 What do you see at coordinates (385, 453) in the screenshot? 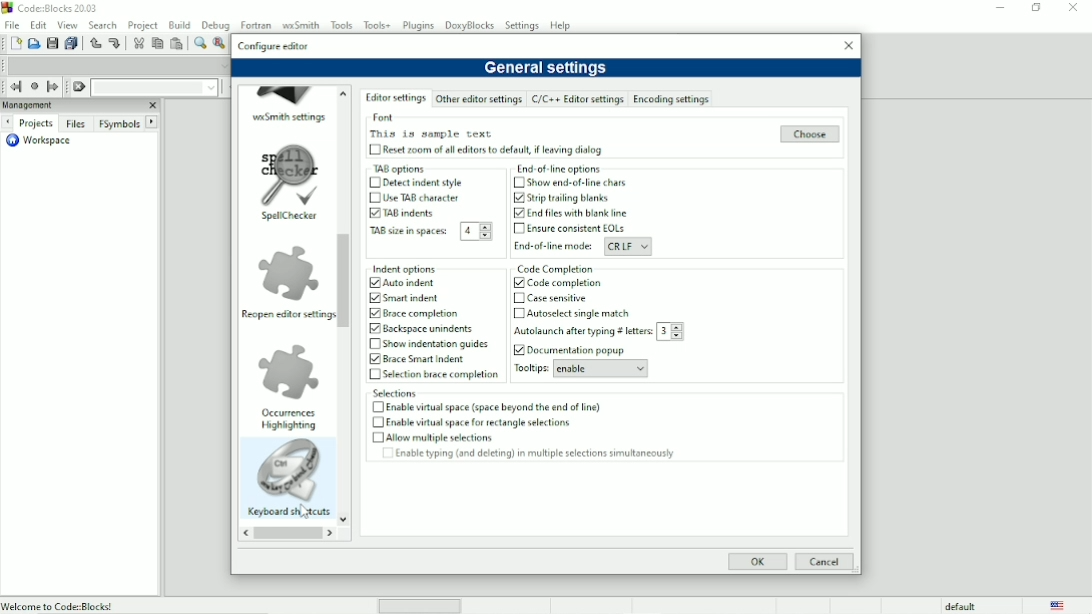
I see `` at bounding box center [385, 453].